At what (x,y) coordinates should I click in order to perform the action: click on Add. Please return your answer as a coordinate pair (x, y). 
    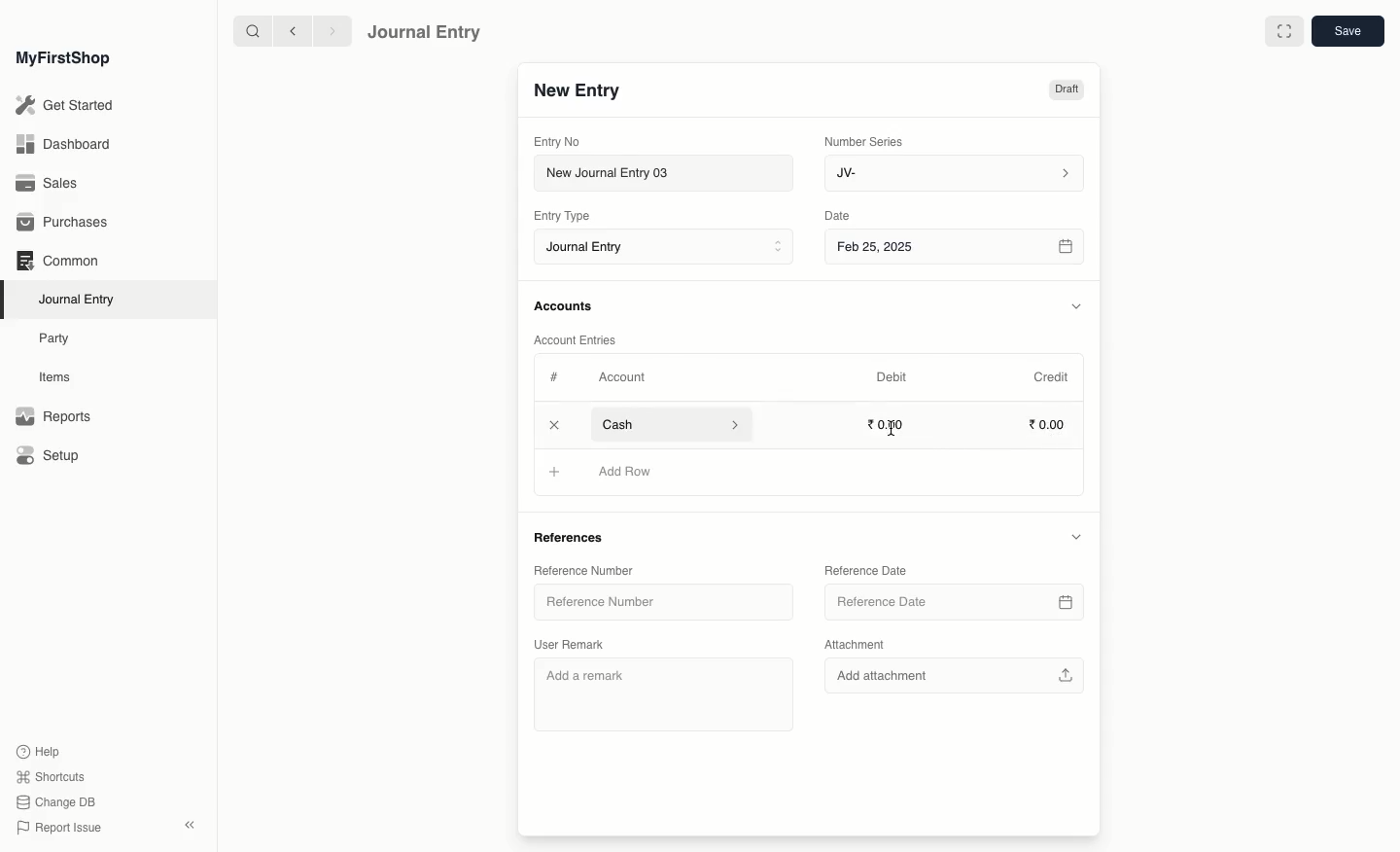
    Looking at the image, I should click on (554, 473).